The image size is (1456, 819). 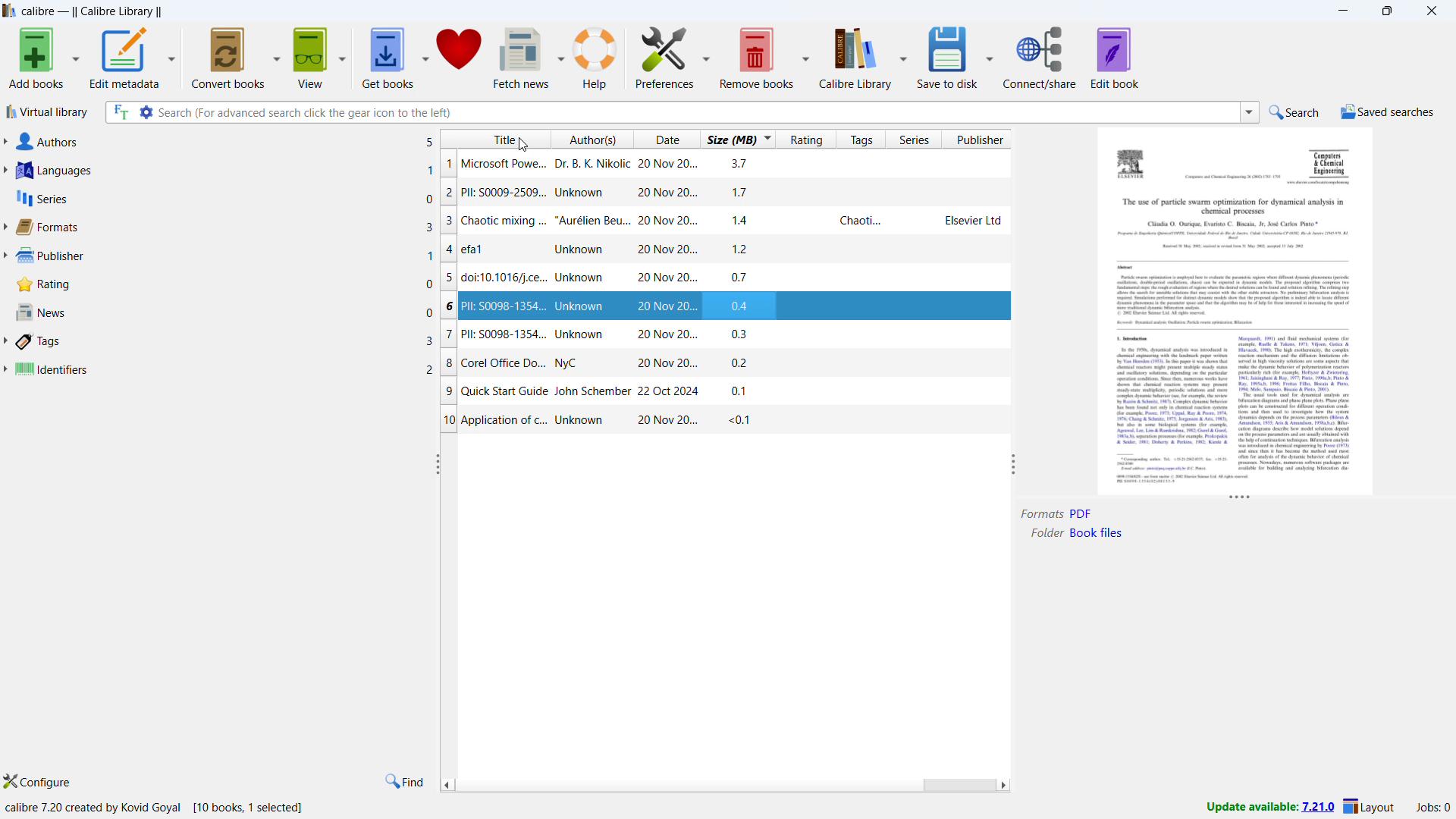 I want to click on Application of c... Unknown 20 Nov 20..., so click(x=582, y=421).